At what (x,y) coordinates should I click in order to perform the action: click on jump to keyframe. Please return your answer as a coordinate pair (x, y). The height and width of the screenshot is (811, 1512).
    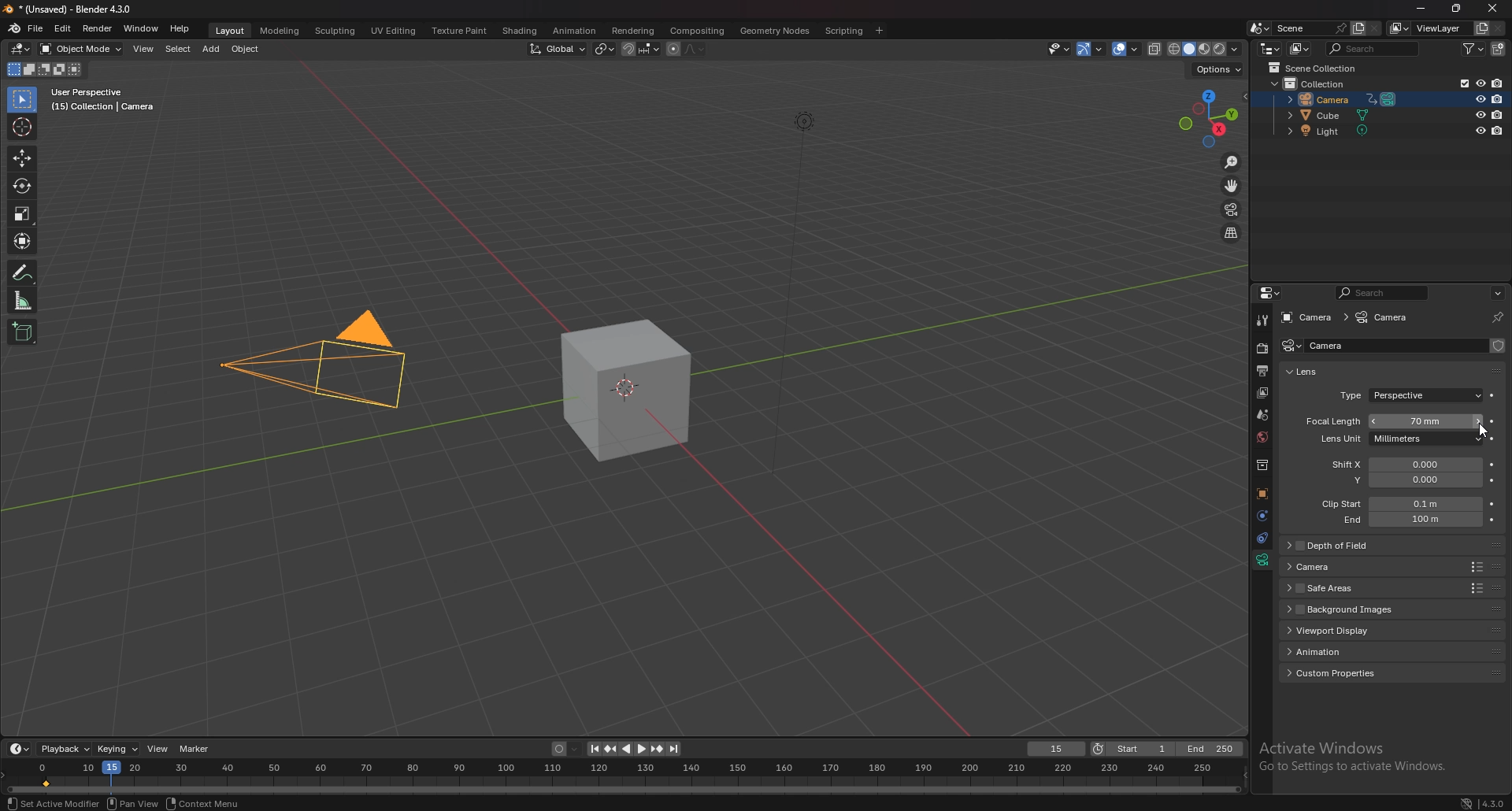
    Looking at the image, I should click on (610, 749).